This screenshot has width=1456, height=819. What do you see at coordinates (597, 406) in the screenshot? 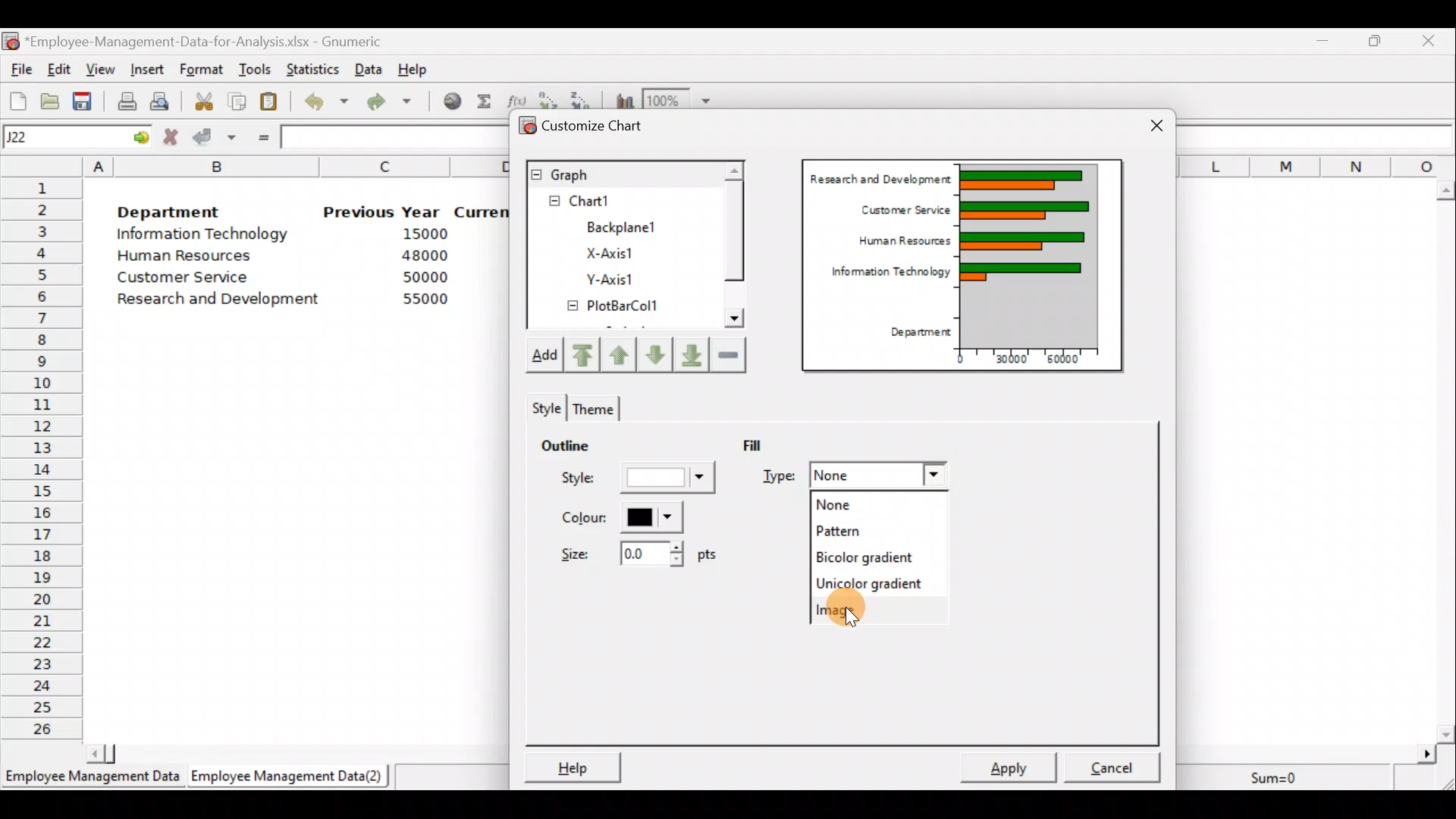
I see `Theme` at bounding box center [597, 406].